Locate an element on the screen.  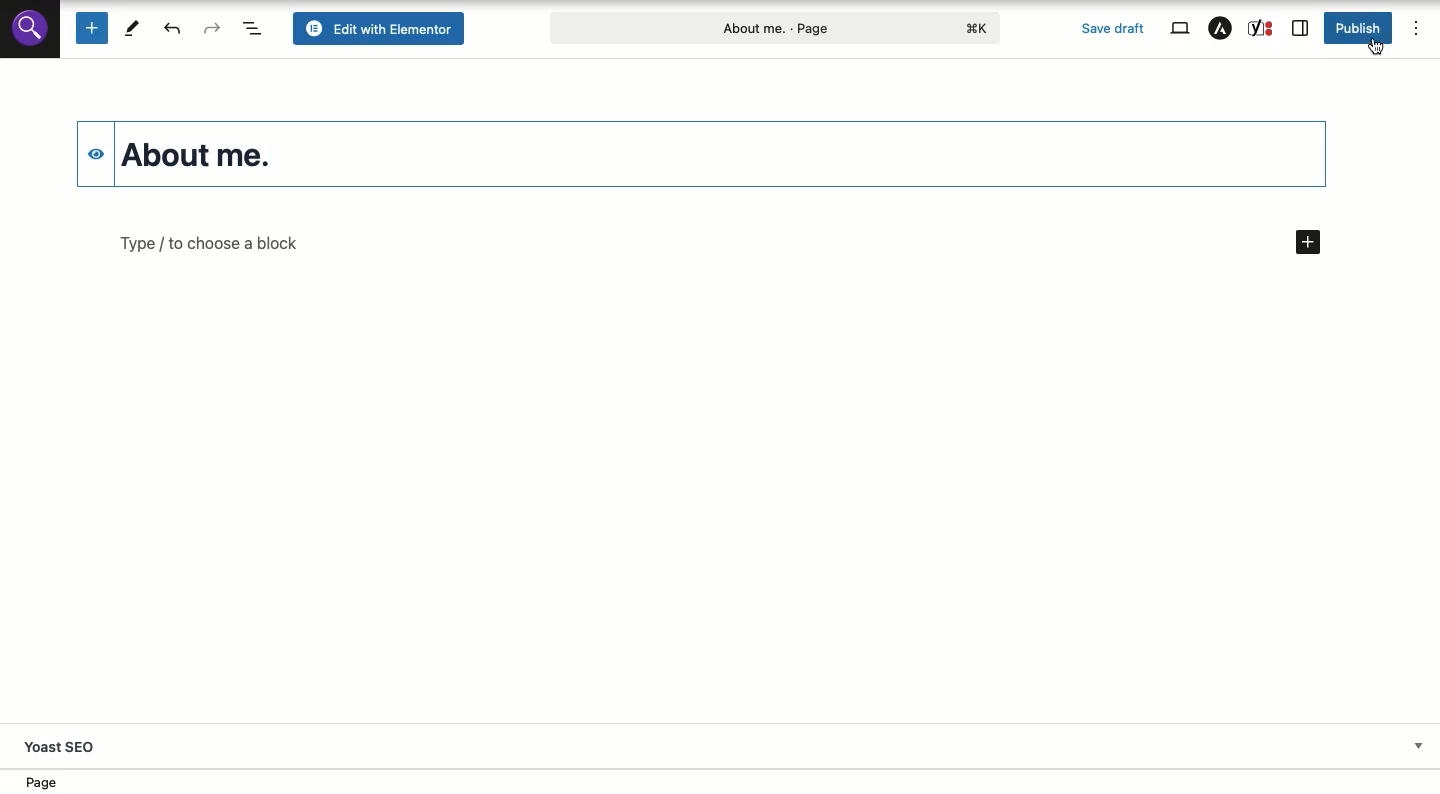
Redo is located at coordinates (213, 28).